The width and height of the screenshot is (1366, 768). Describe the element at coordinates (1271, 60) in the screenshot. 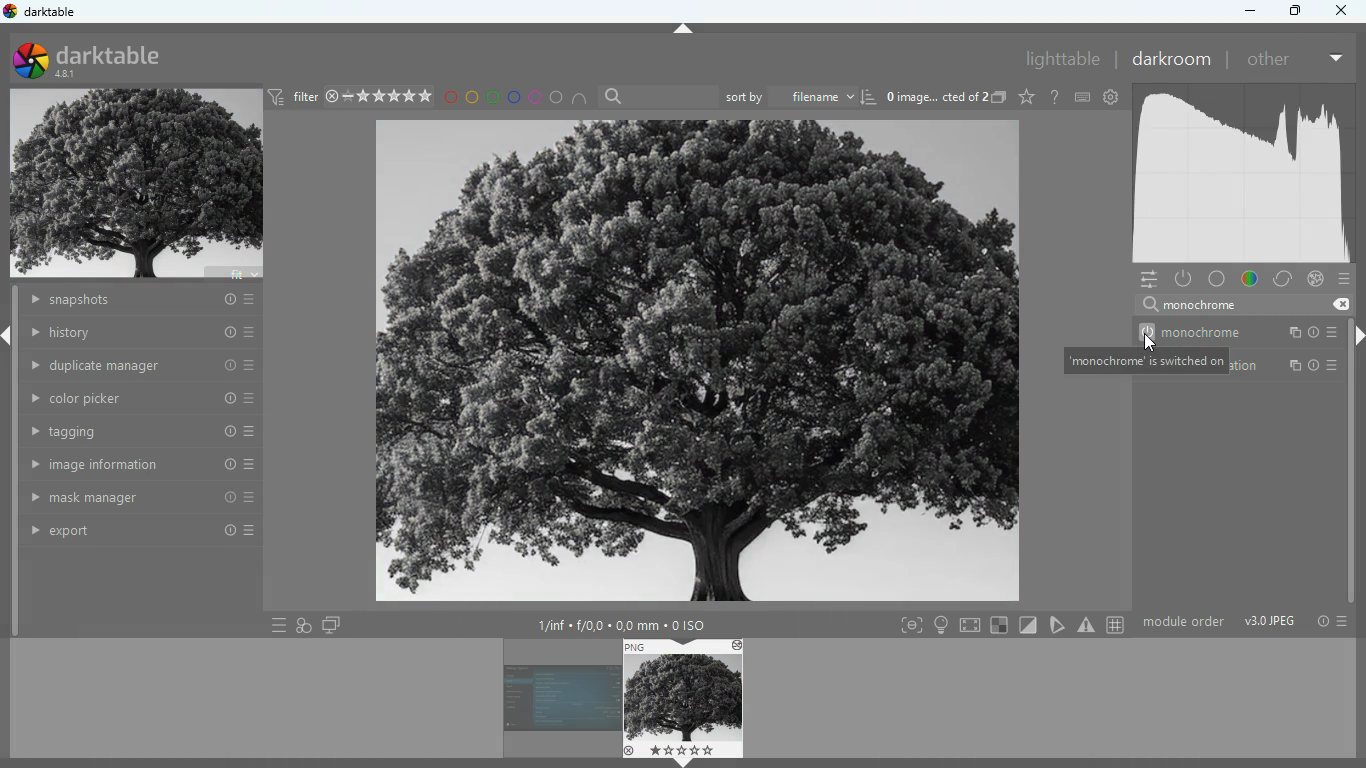

I see `other` at that location.